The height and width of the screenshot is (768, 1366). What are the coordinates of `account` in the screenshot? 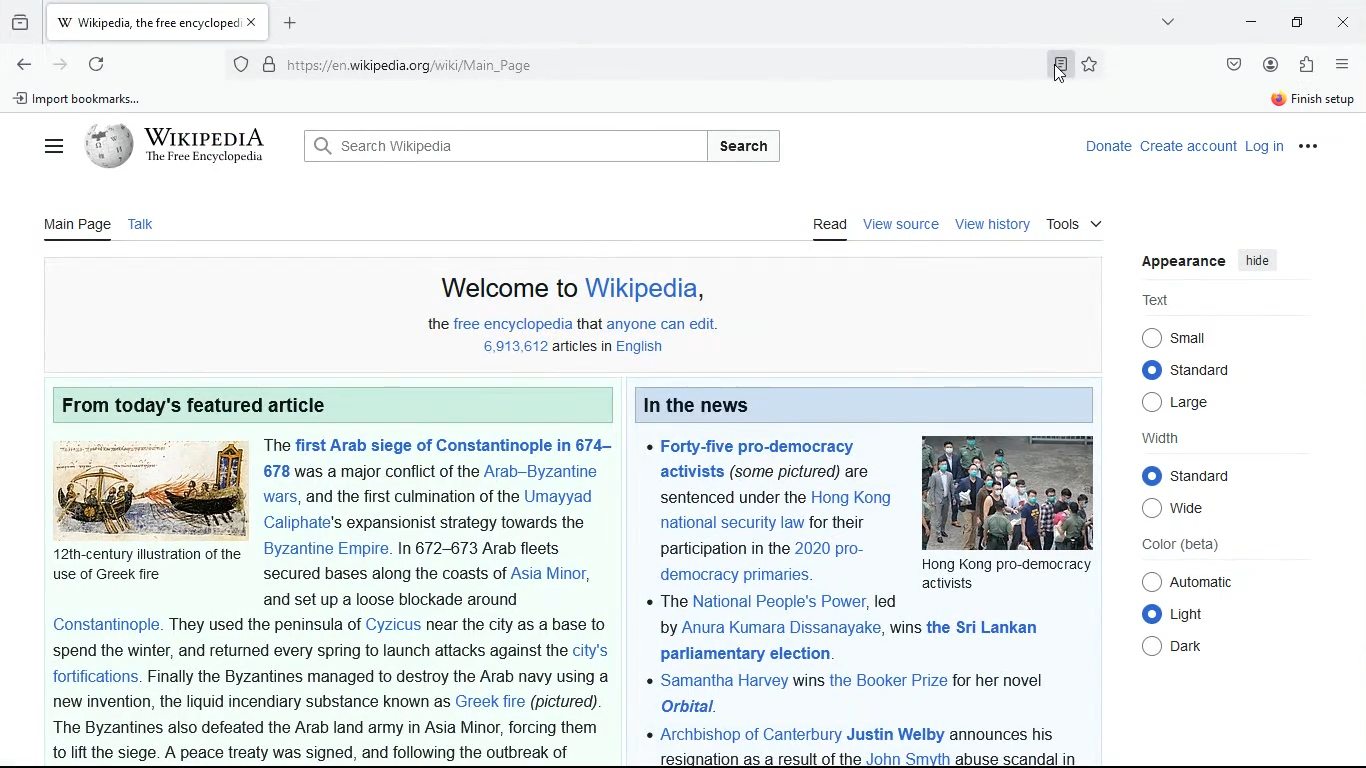 It's located at (1270, 62).